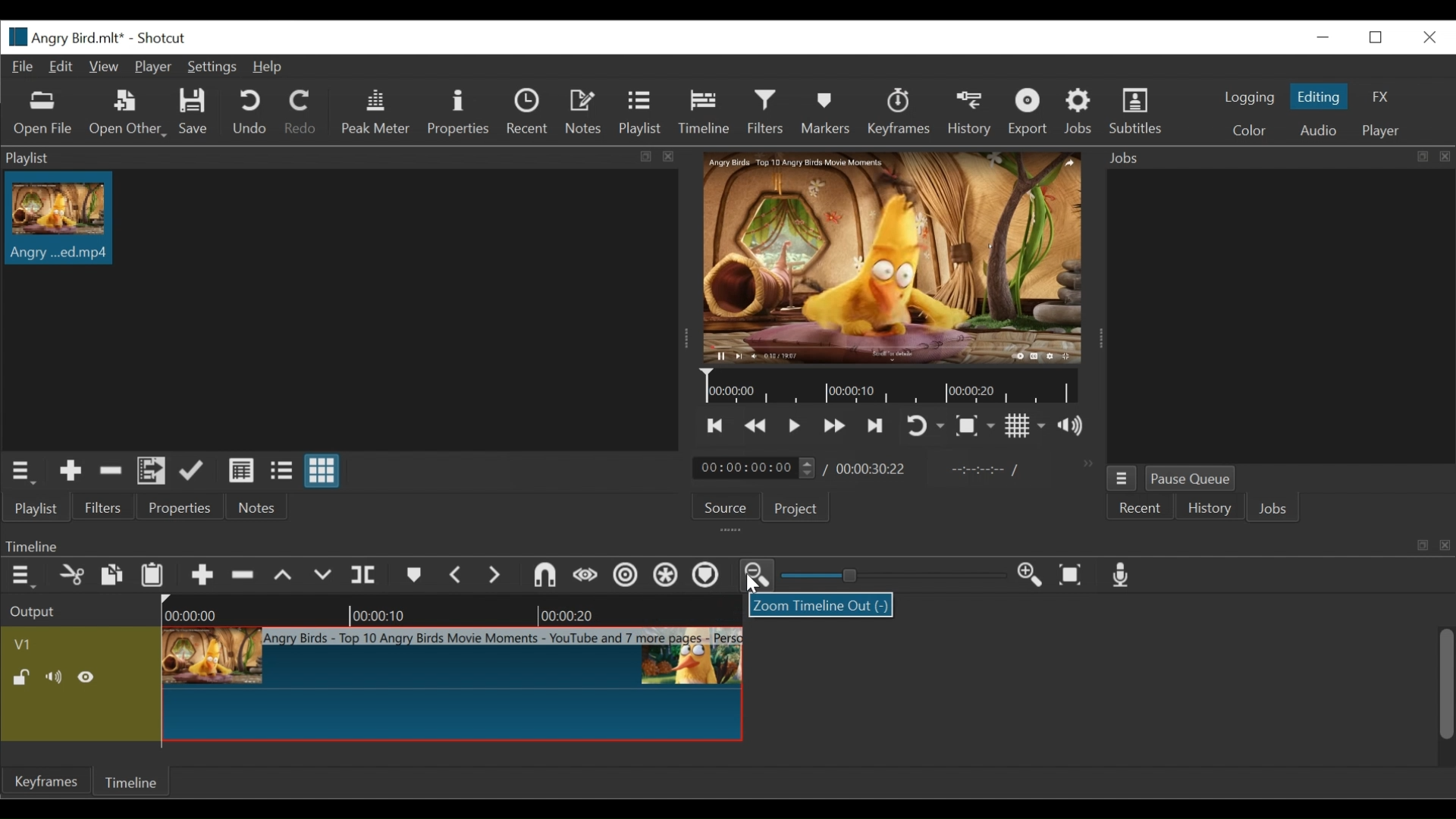 This screenshot has width=1456, height=819. I want to click on Split at playhead, so click(368, 575).